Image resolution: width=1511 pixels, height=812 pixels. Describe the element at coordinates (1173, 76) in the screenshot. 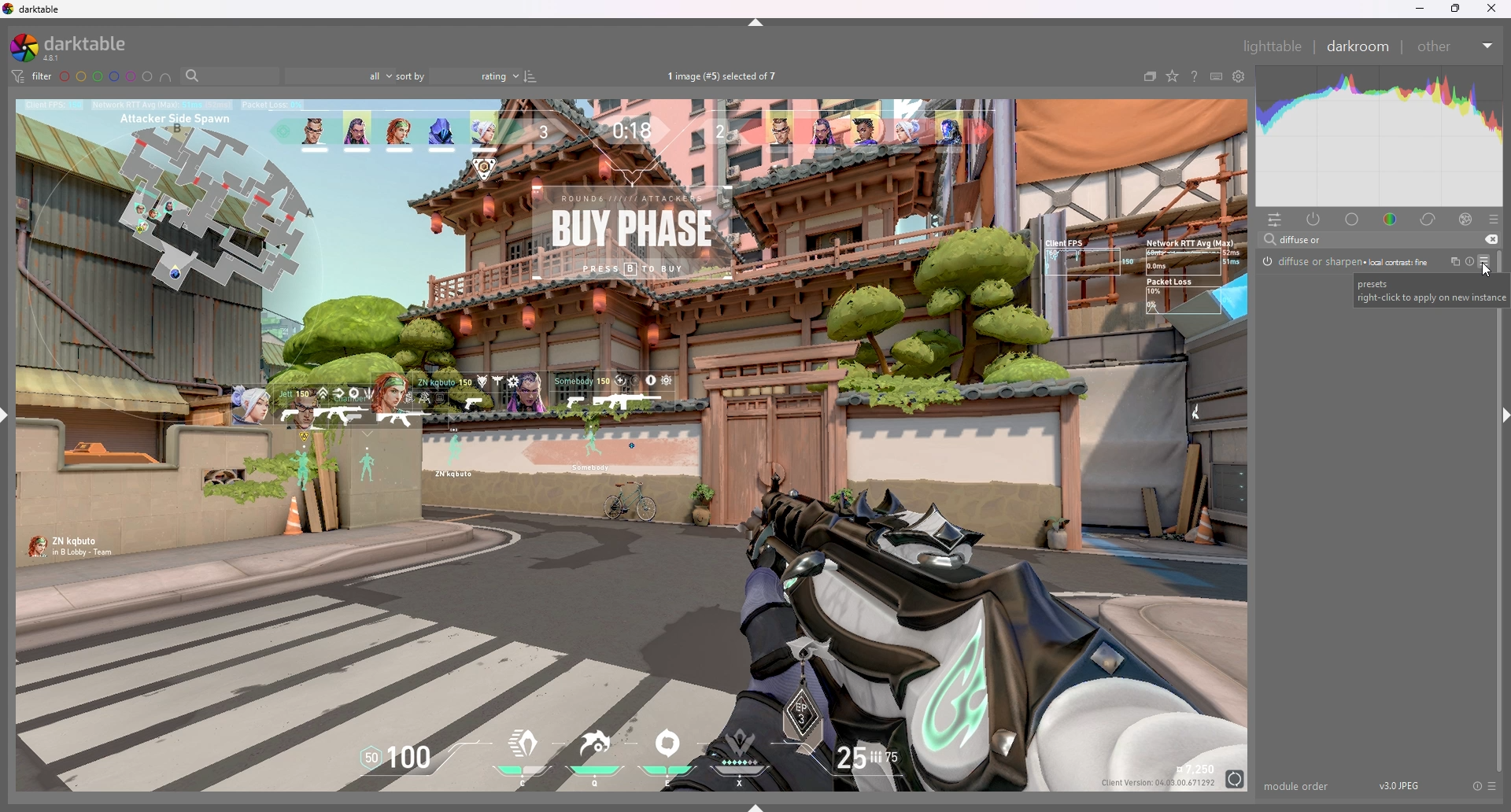

I see `change type of overlays` at that location.